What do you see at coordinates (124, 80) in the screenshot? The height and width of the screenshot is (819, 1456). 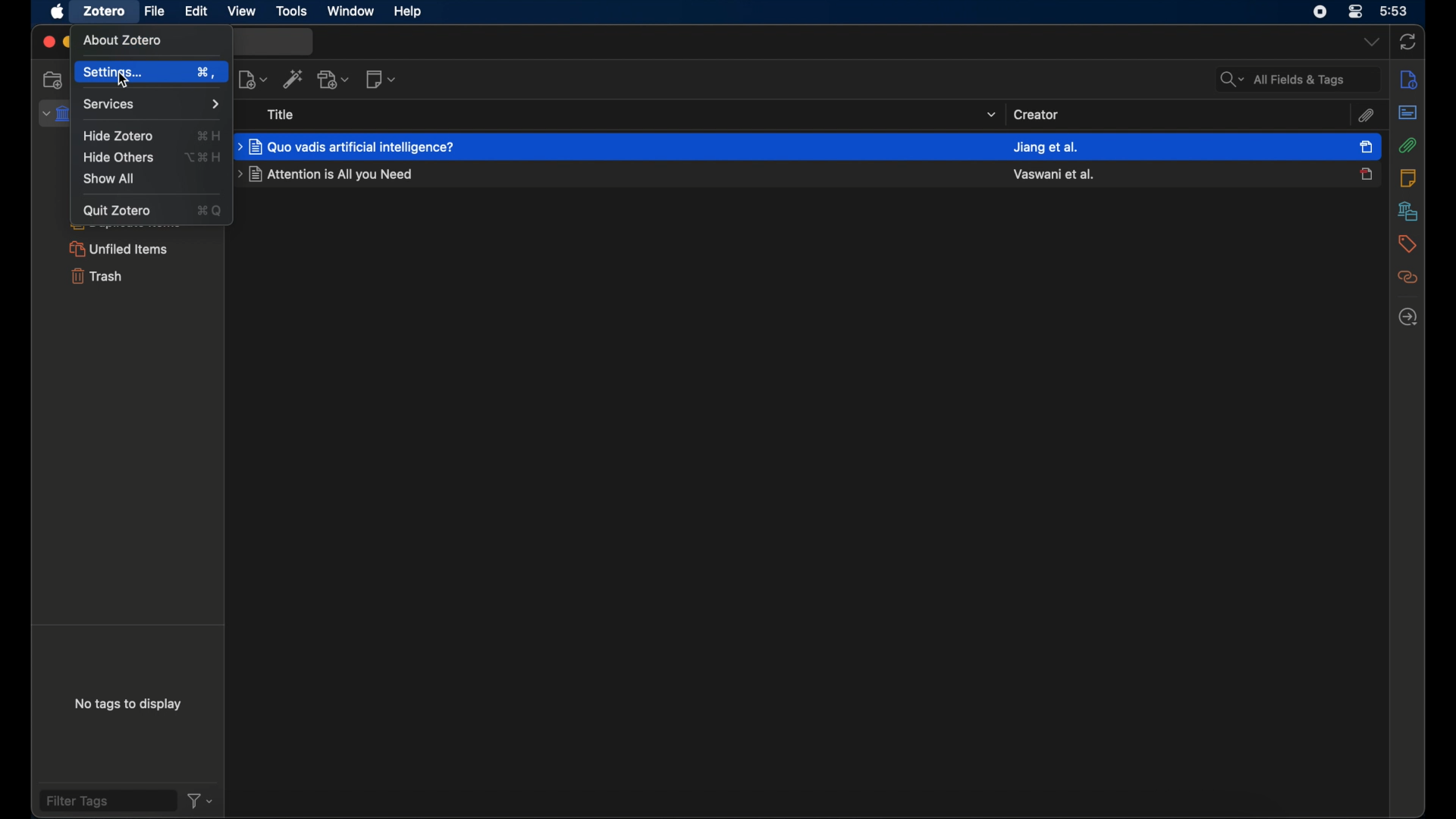 I see `Cursor` at bounding box center [124, 80].